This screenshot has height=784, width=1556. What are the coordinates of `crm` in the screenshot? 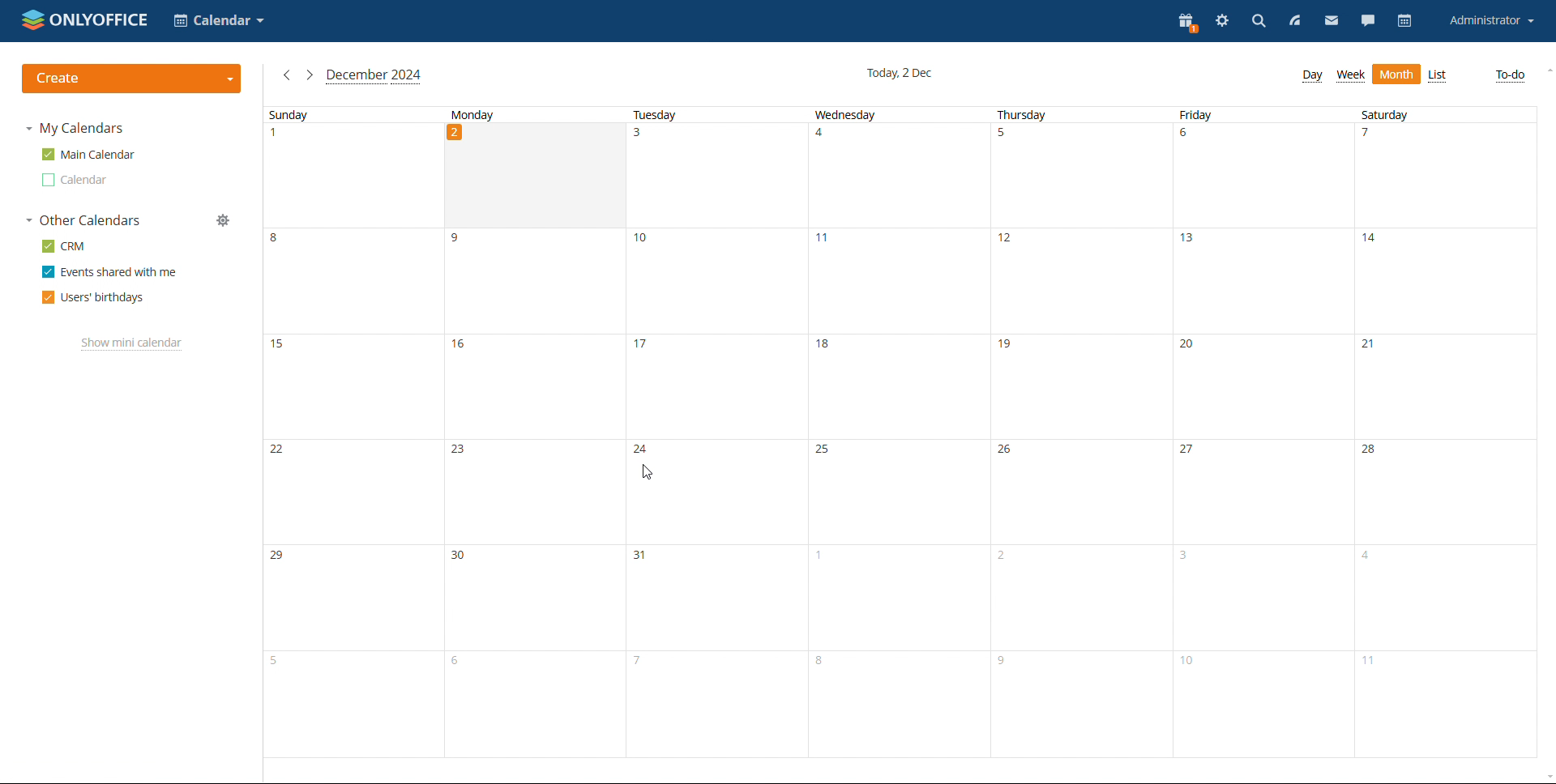 It's located at (64, 245).